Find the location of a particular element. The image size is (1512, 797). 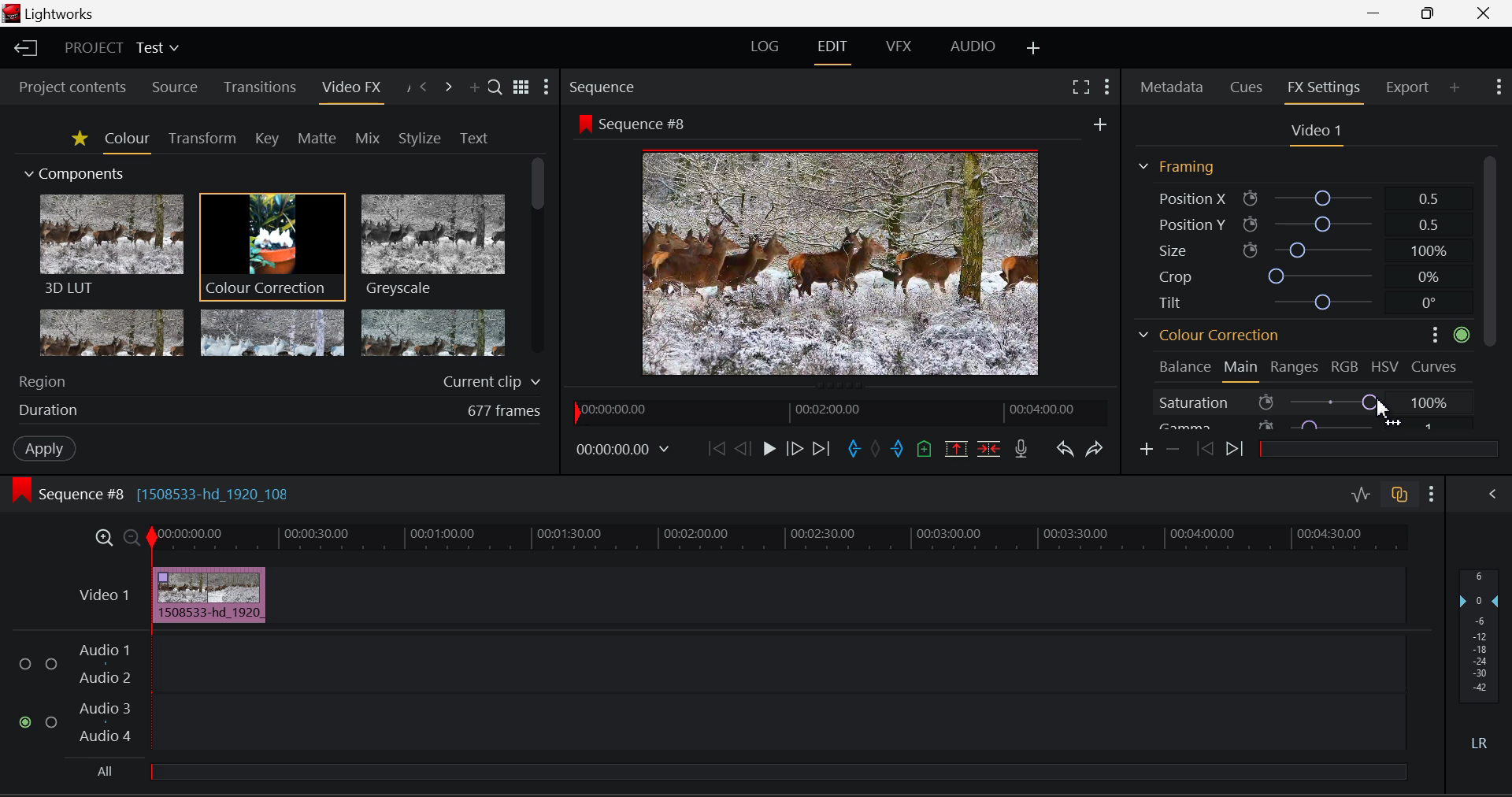

Audio Input Checkbox is located at coordinates (24, 721).